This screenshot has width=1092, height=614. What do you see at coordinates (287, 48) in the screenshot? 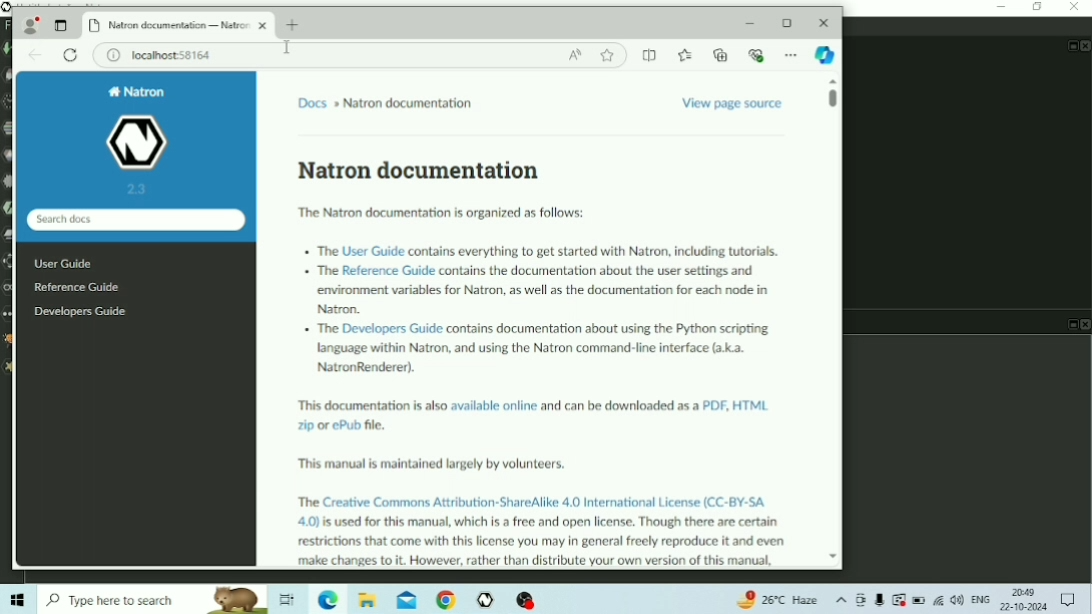
I see `Cursor` at bounding box center [287, 48].